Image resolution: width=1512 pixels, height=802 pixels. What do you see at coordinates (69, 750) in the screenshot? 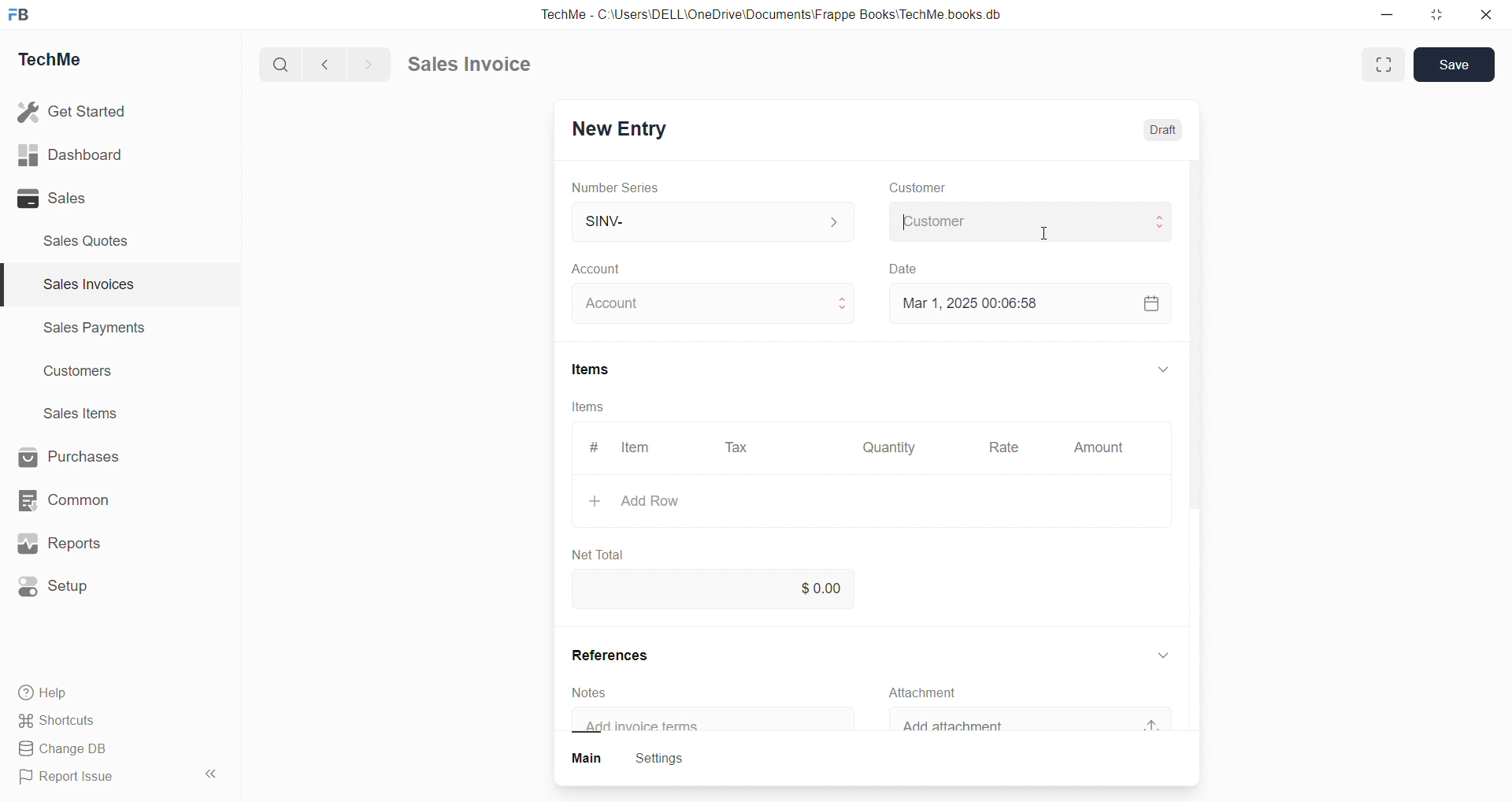
I see `B& Change DB` at bounding box center [69, 750].